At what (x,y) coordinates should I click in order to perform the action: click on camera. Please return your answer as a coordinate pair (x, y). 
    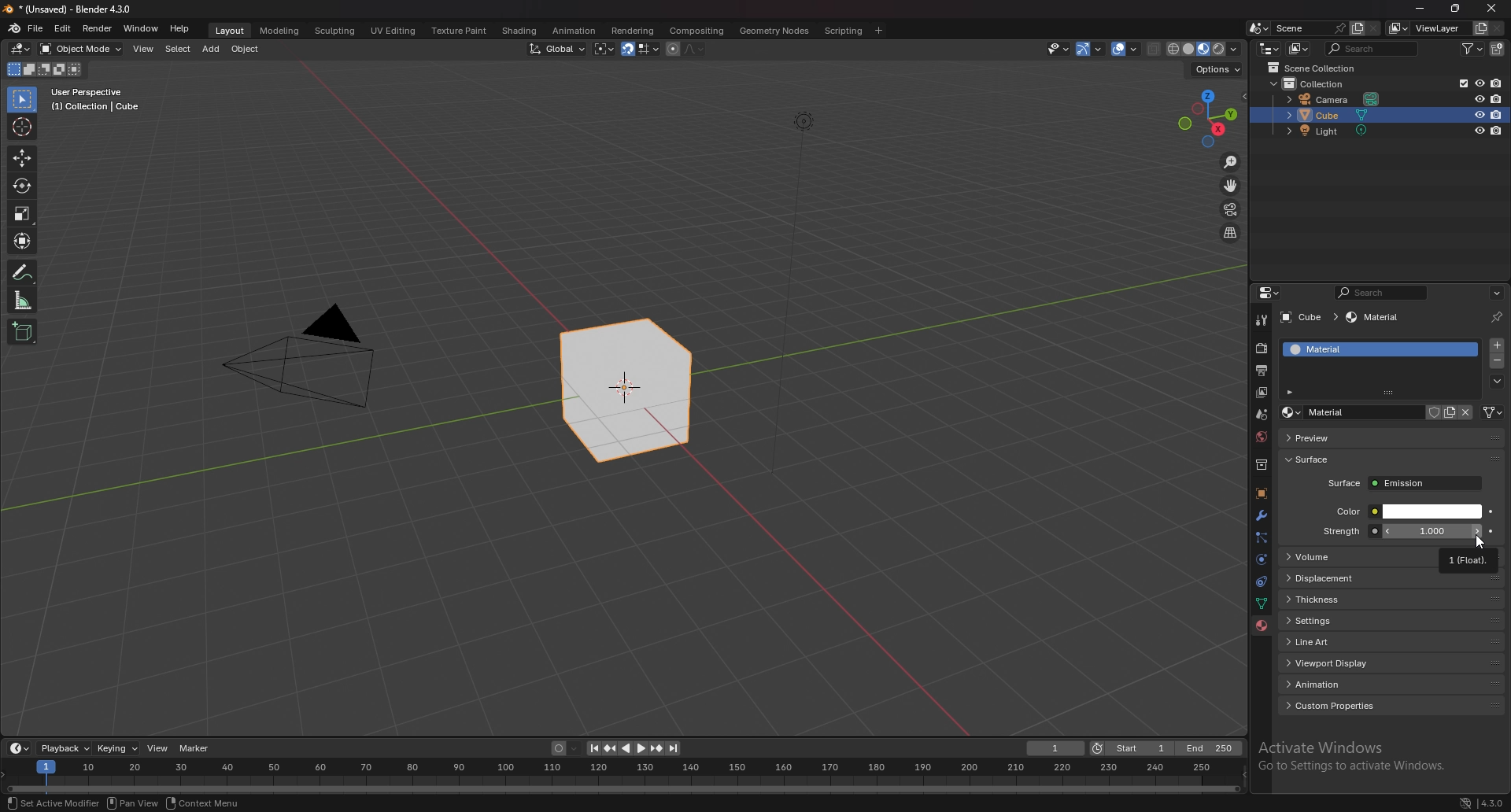
    Looking at the image, I should click on (1336, 100).